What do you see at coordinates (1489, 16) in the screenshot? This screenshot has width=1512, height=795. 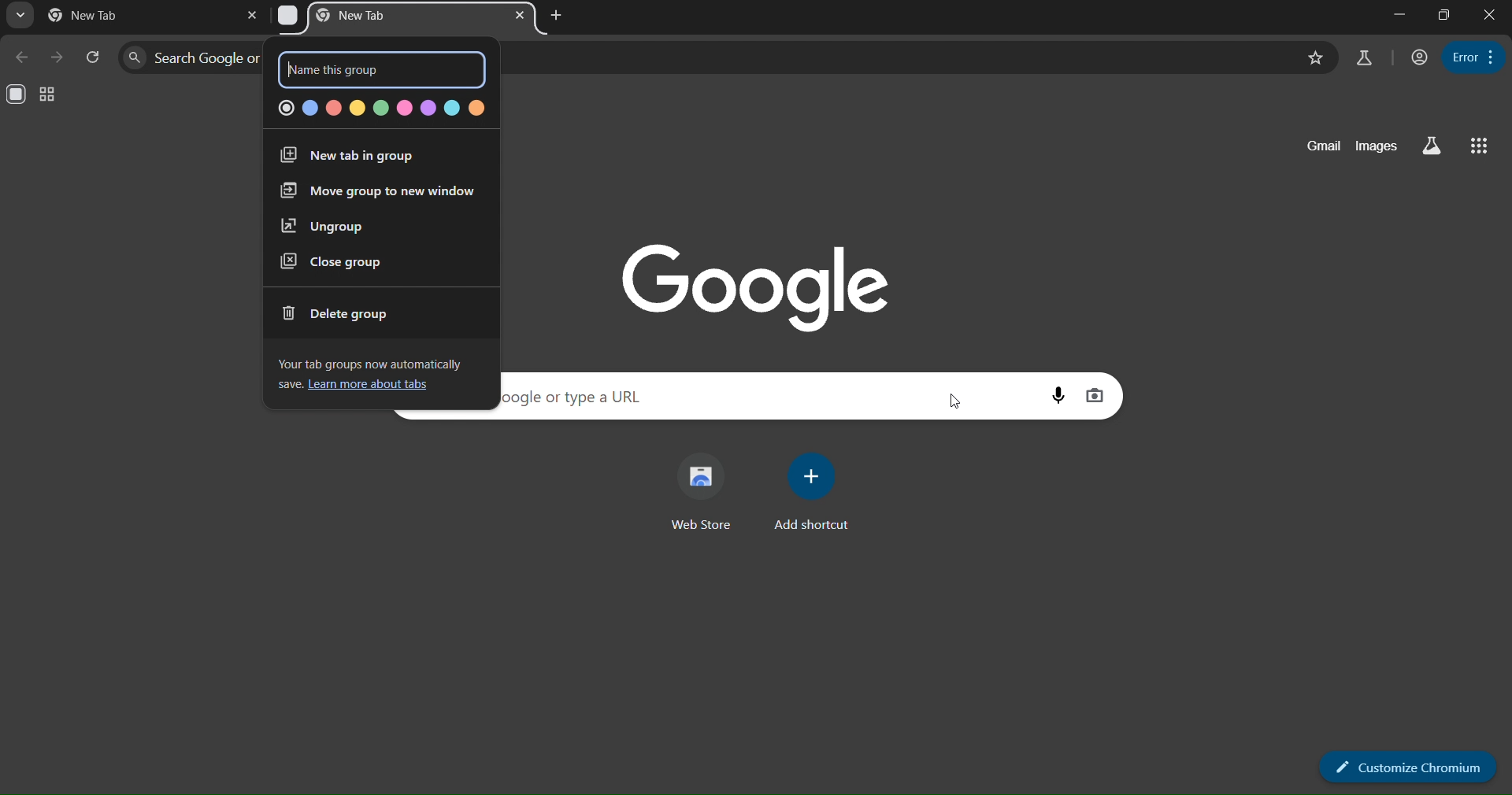 I see `close` at bounding box center [1489, 16].